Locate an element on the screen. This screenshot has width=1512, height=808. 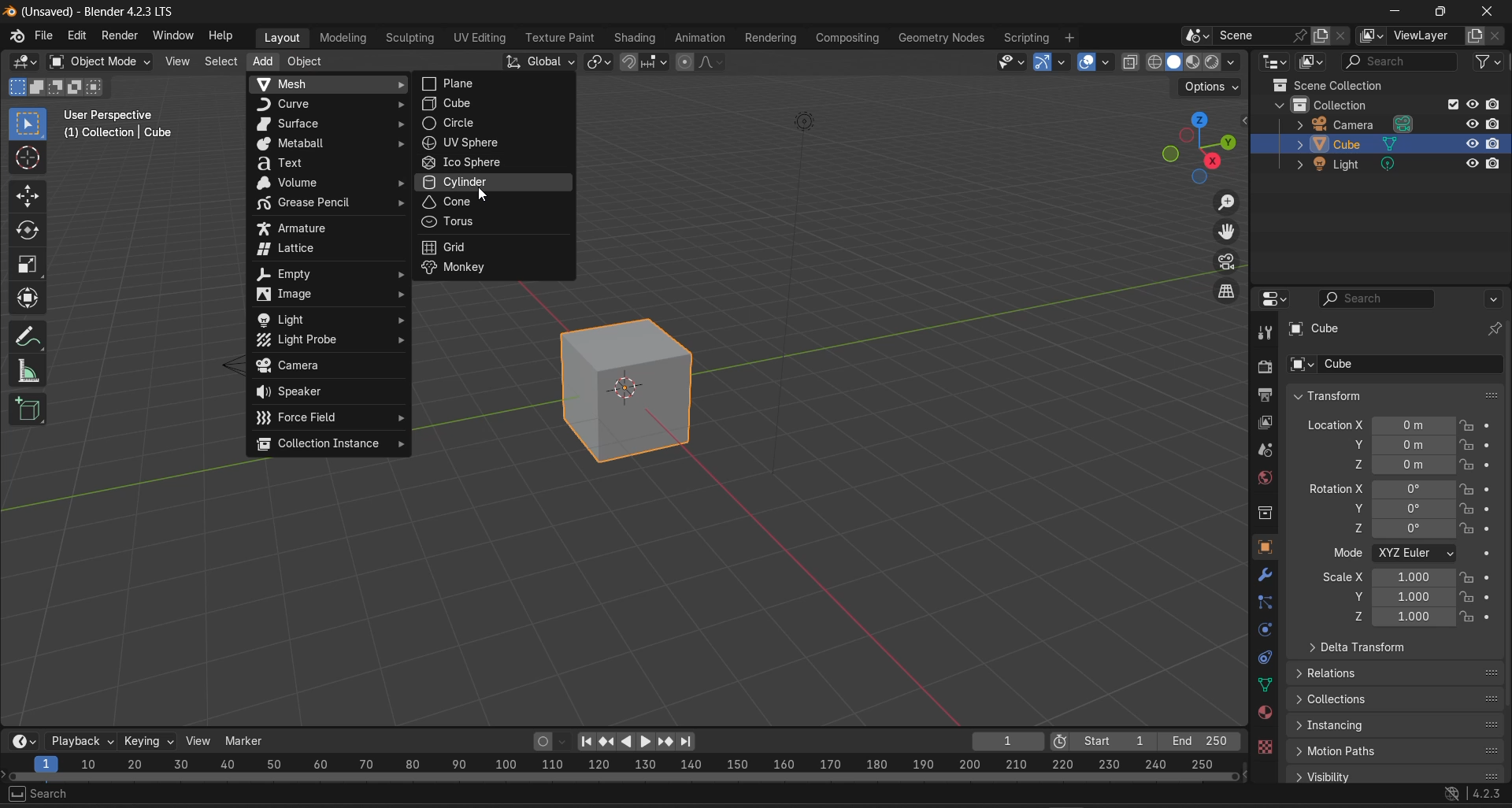
play animation is located at coordinates (635, 742).